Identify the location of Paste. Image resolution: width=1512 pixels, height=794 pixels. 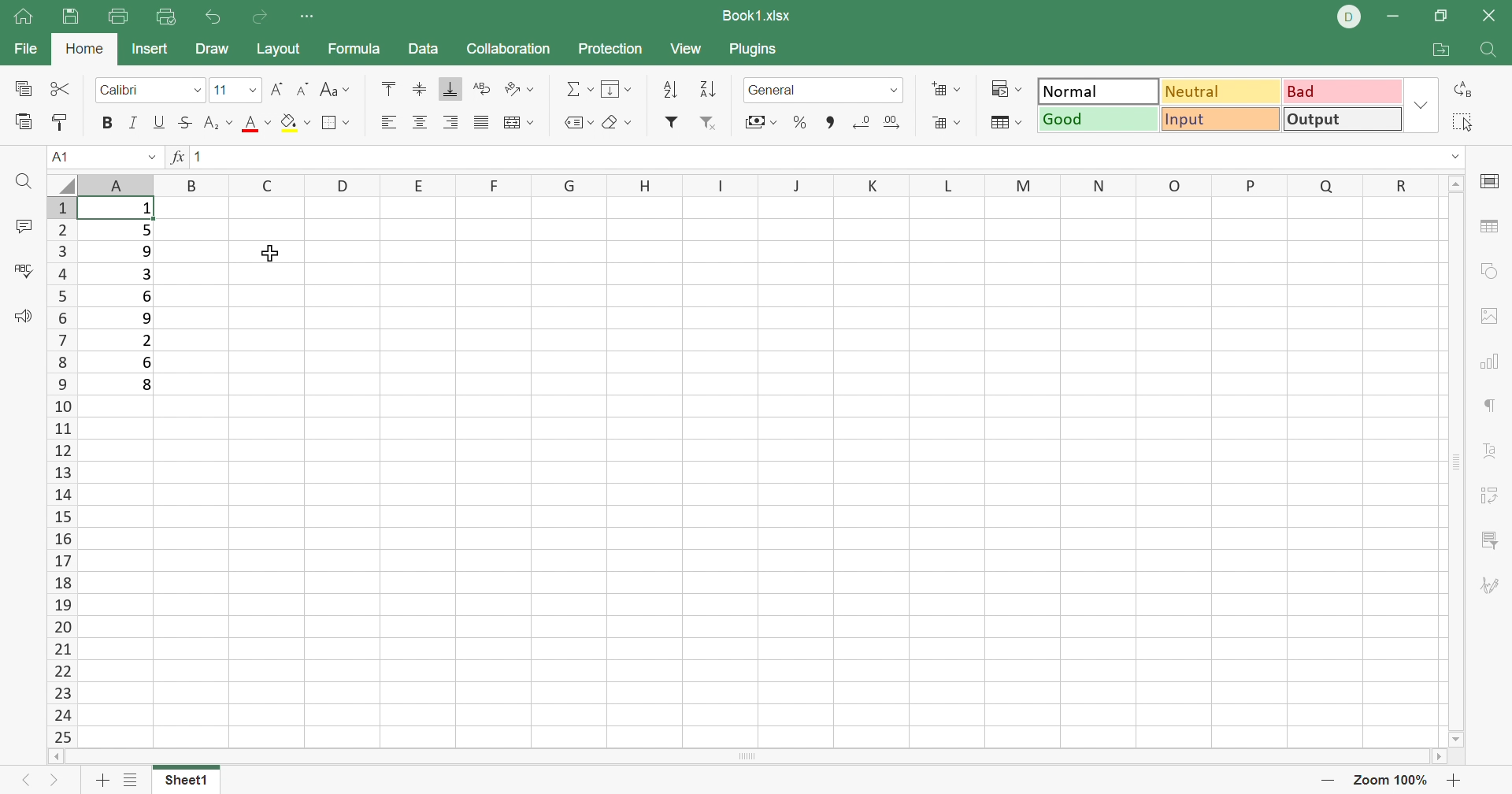
(23, 121).